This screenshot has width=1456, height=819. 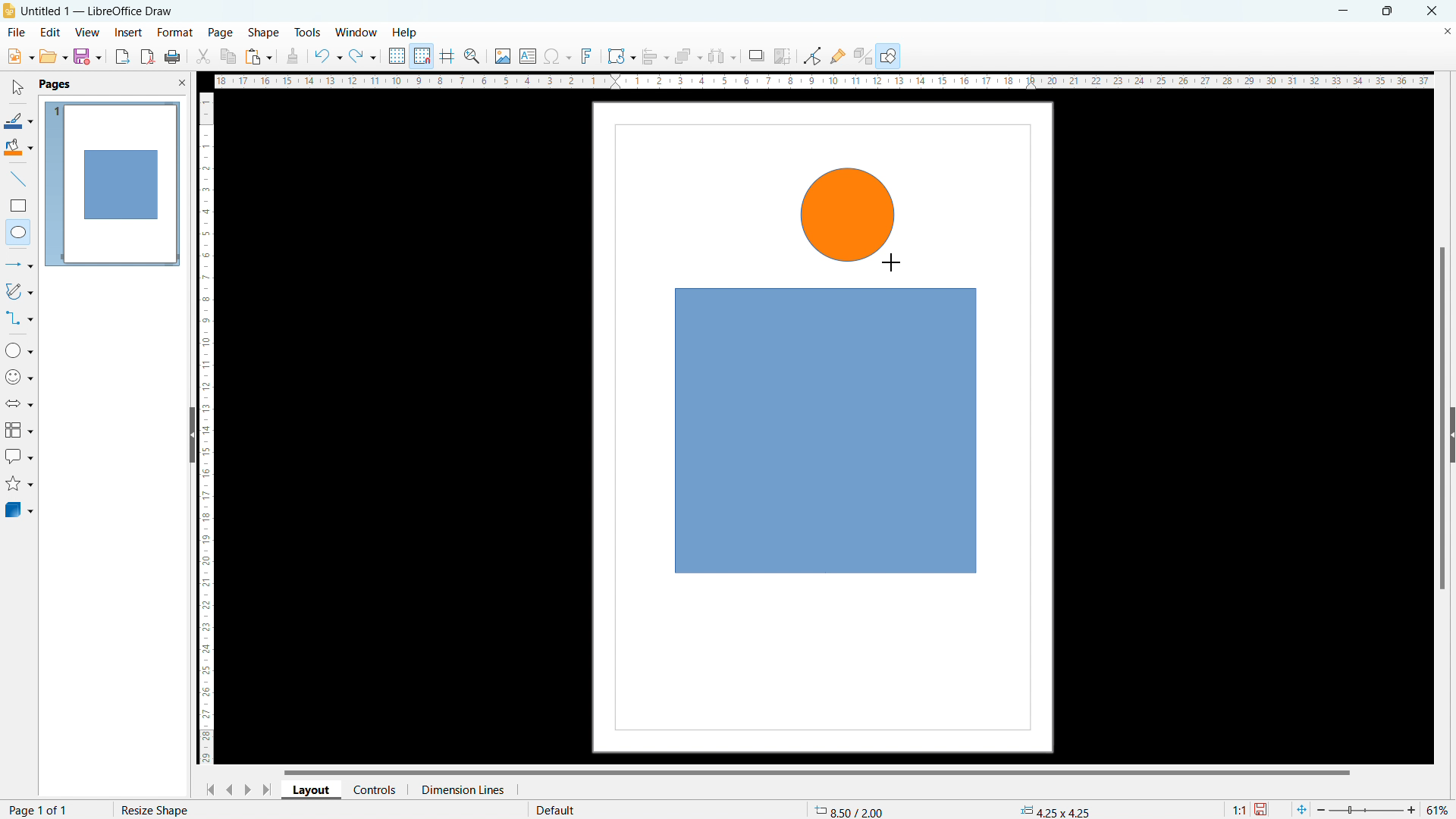 What do you see at coordinates (814, 55) in the screenshot?
I see `toggle point edit mode` at bounding box center [814, 55].